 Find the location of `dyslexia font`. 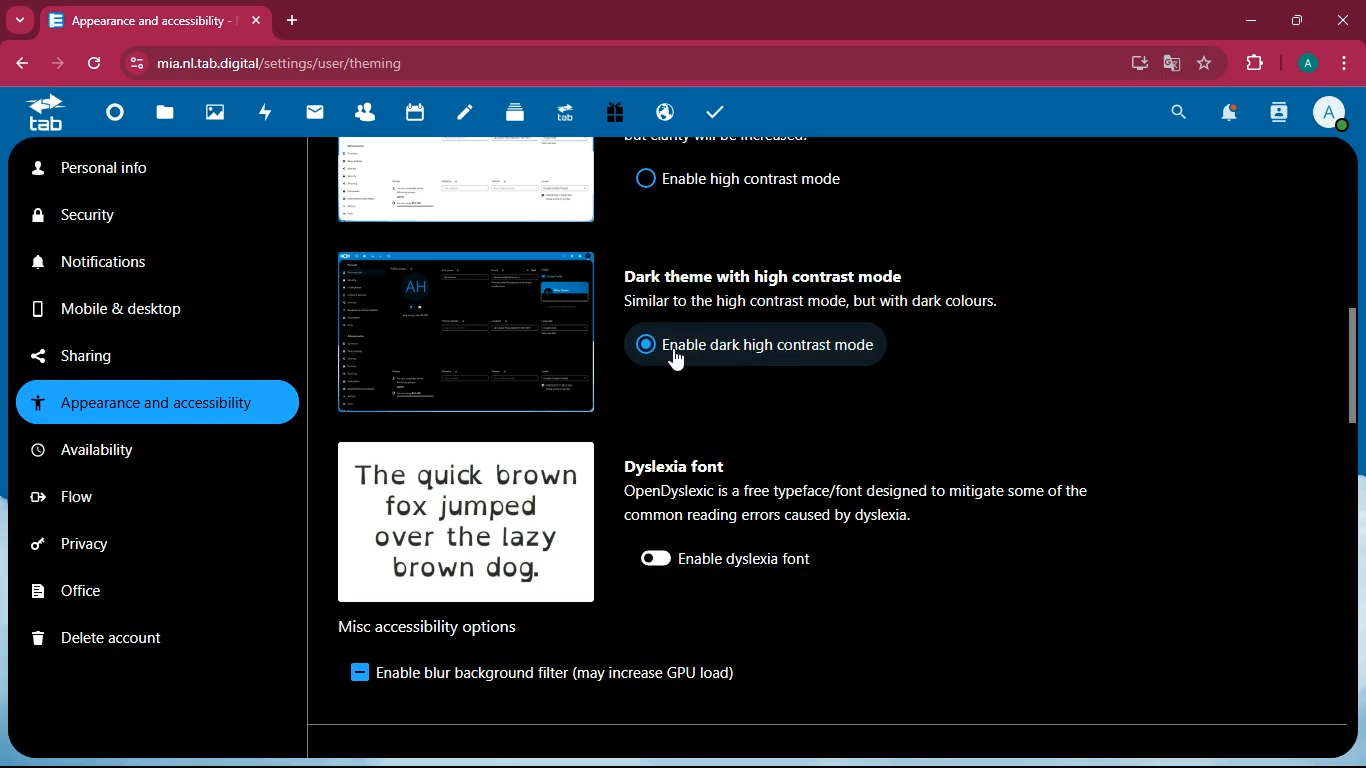

dyslexia font is located at coordinates (674, 467).